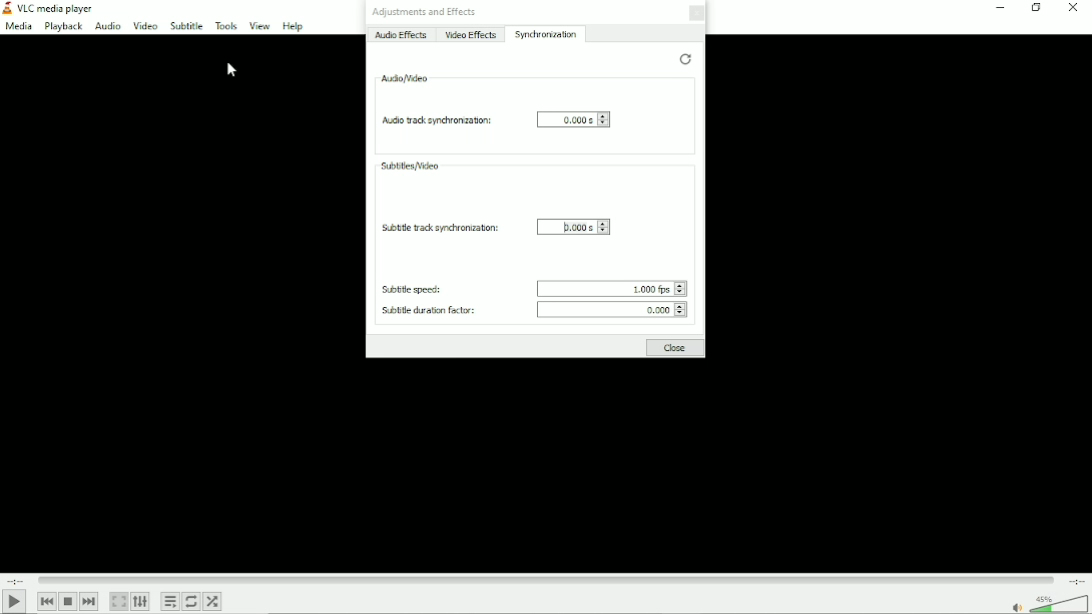 This screenshot has height=614, width=1092. Describe the element at coordinates (997, 10) in the screenshot. I see `minimize` at that location.